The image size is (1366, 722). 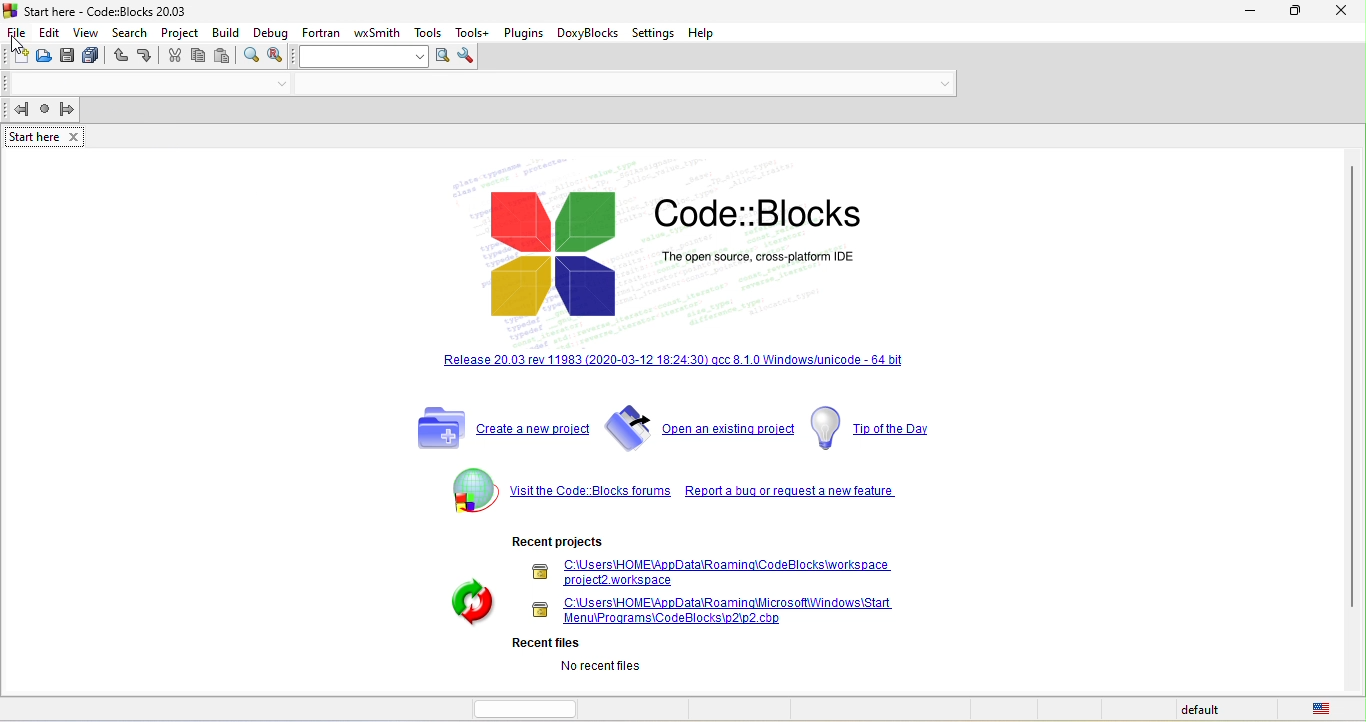 I want to click on help, so click(x=710, y=33).